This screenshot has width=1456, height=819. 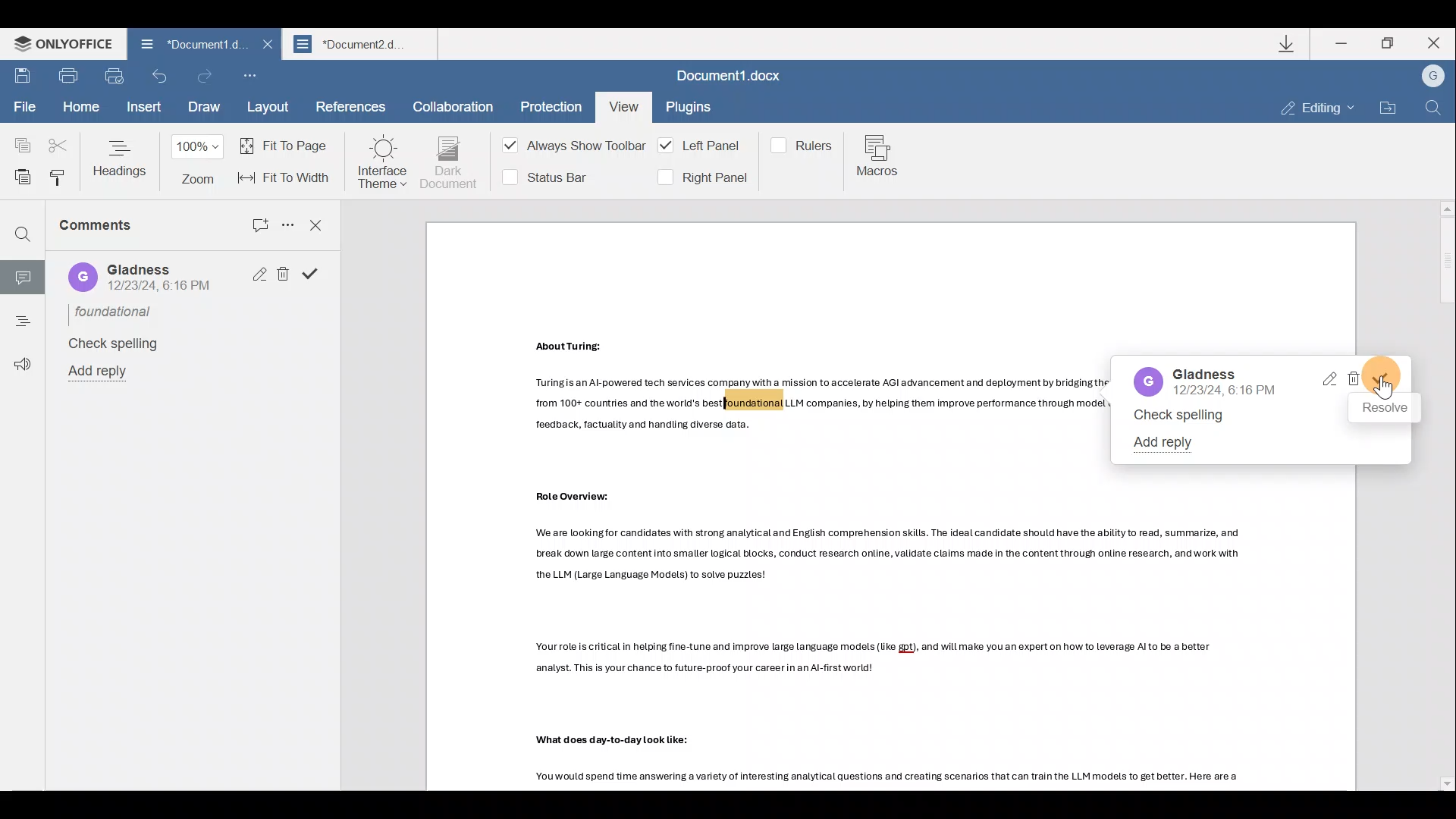 What do you see at coordinates (1433, 108) in the screenshot?
I see `Find` at bounding box center [1433, 108].